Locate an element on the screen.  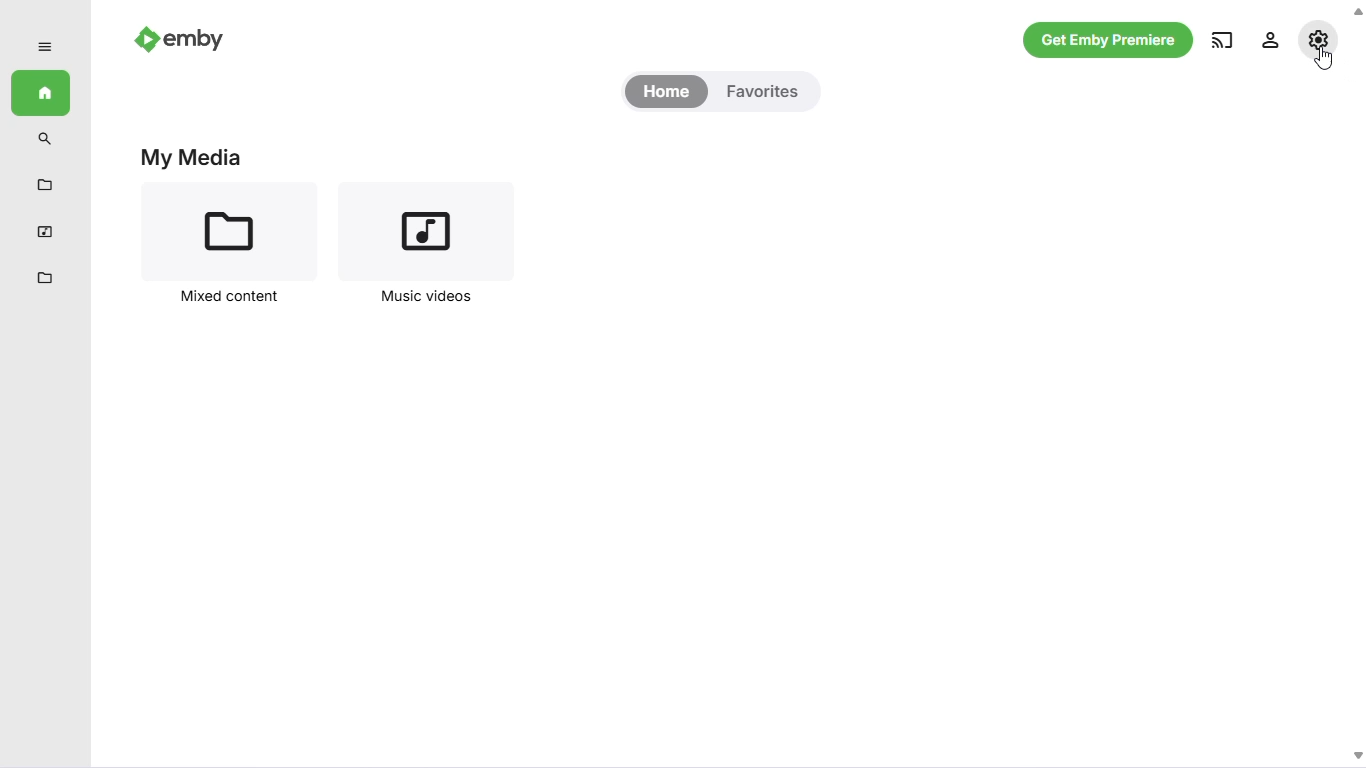
home is located at coordinates (40, 93).